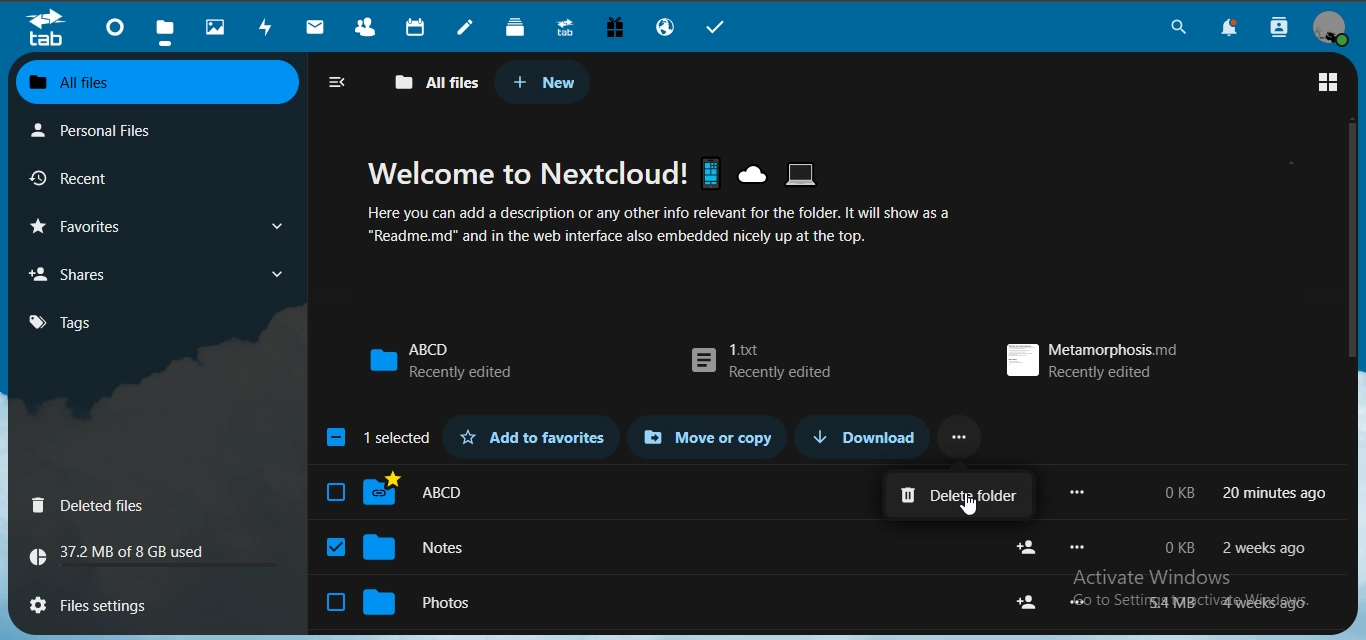  What do you see at coordinates (336, 81) in the screenshot?
I see `close navigation` at bounding box center [336, 81].